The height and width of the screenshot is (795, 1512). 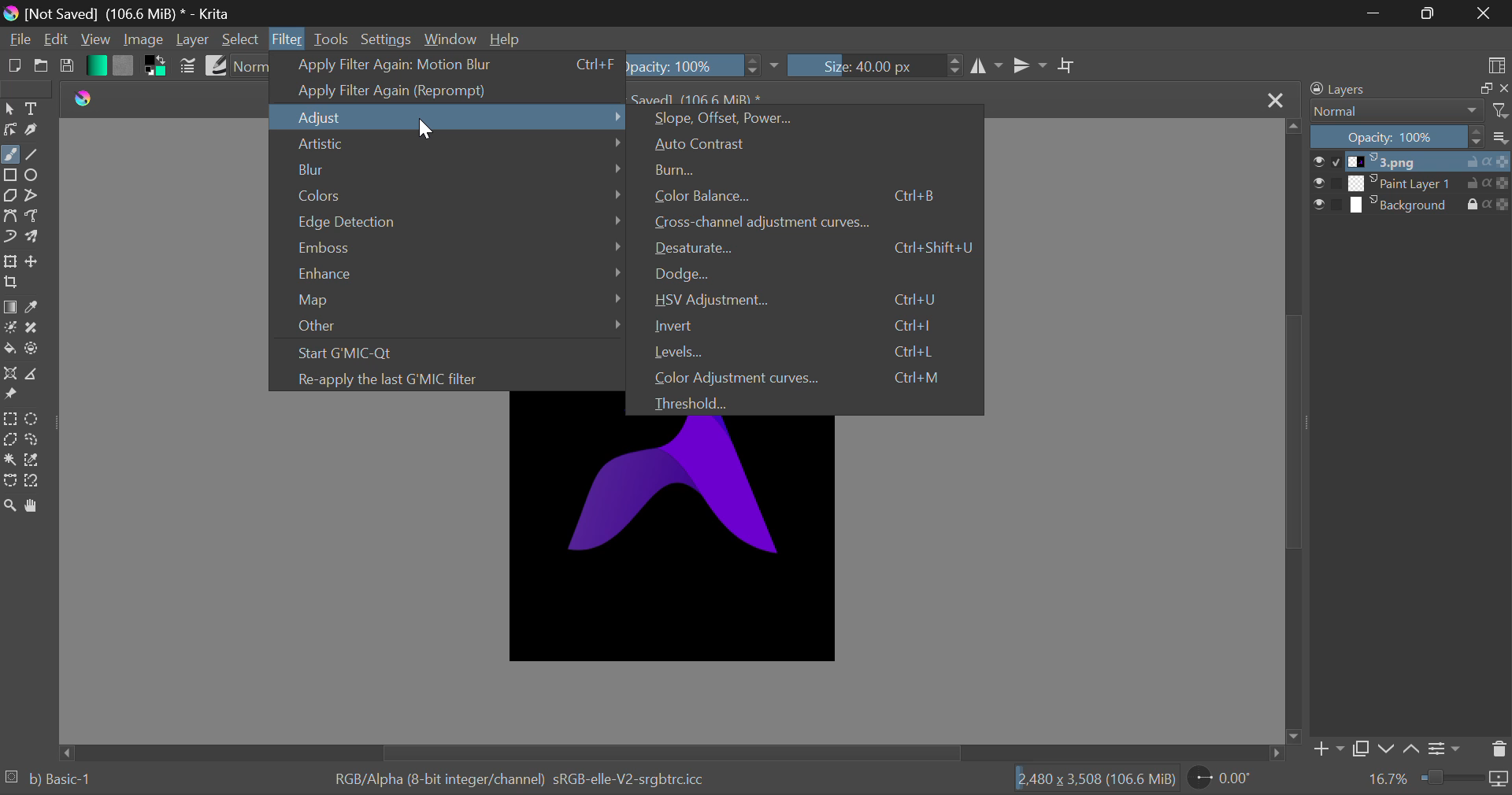 I want to click on Close, so click(x=1276, y=98).